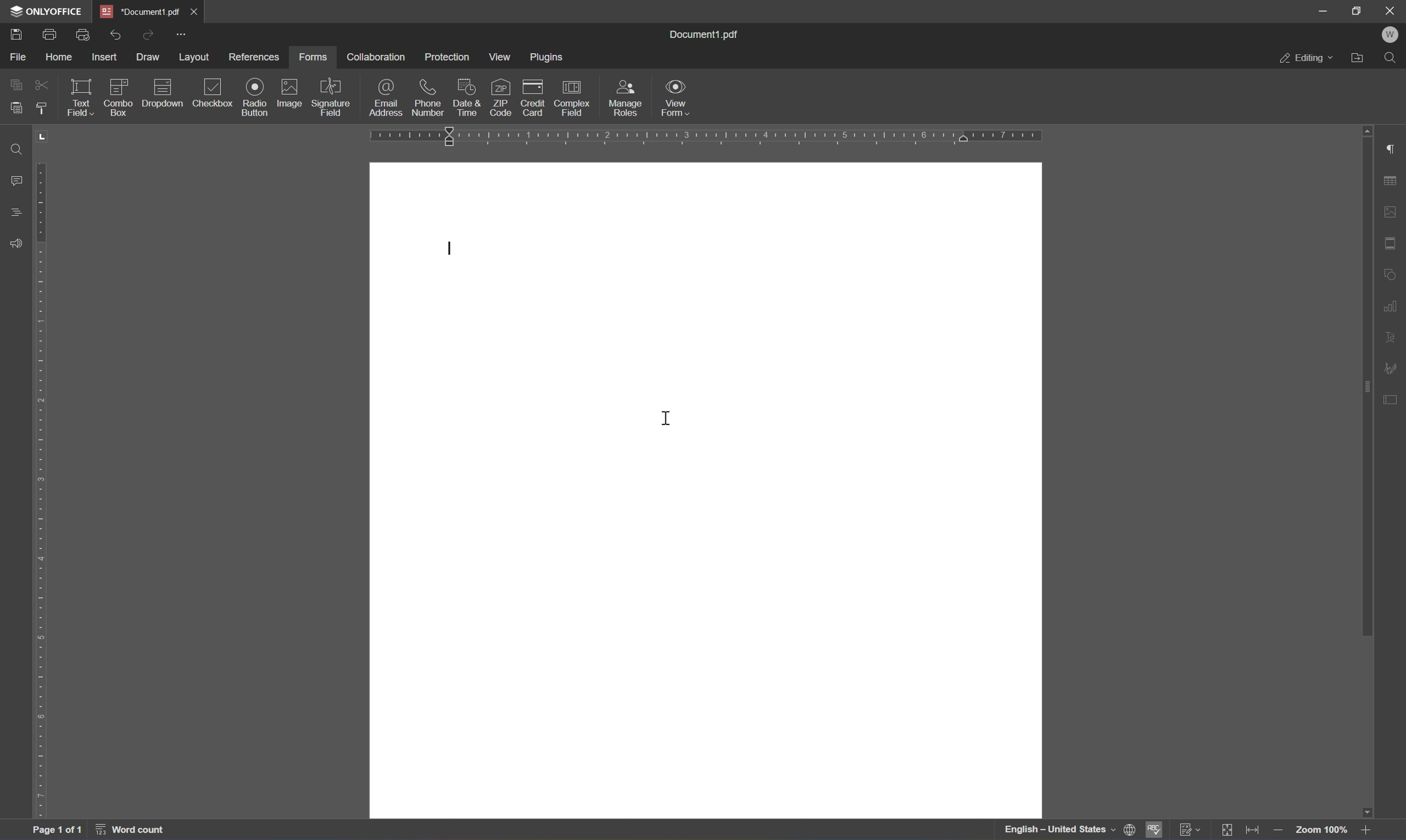  Describe the element at coordinates (16, 182) in the screenshot. I see `comments` at that location.